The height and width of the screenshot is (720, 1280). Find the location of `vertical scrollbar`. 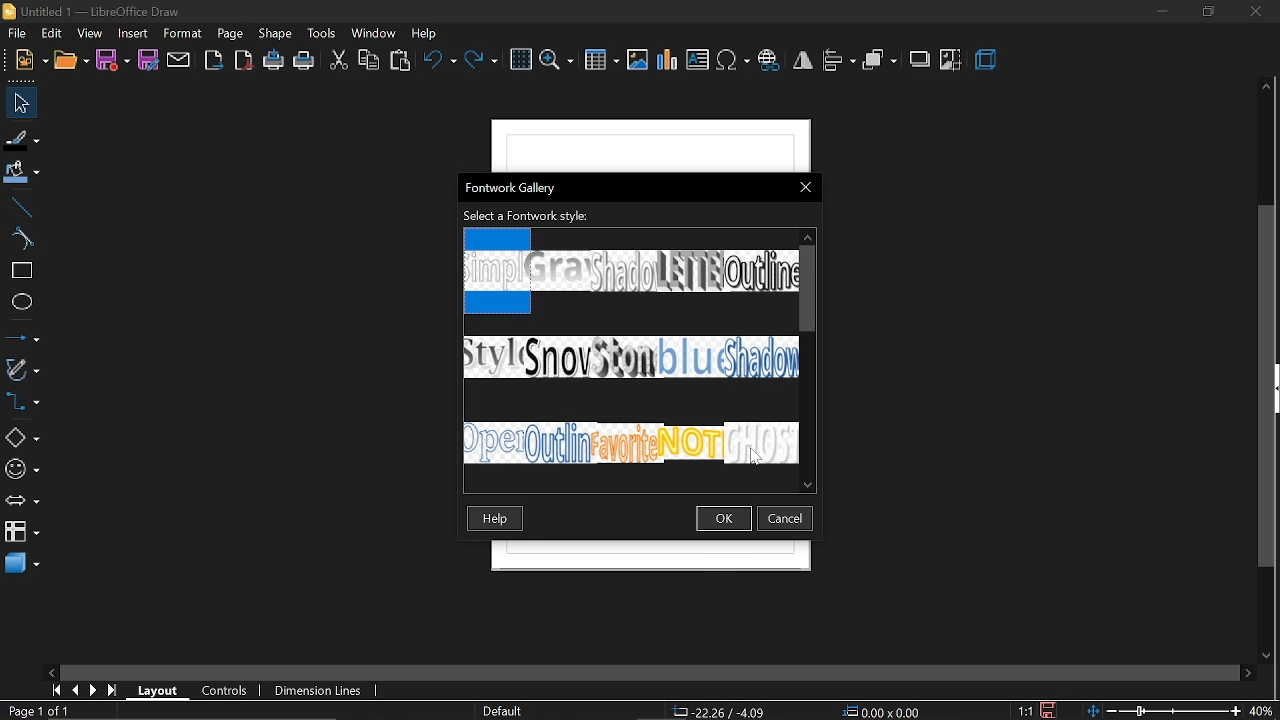

vertical scrollbar is located at coordinates (809, 287).